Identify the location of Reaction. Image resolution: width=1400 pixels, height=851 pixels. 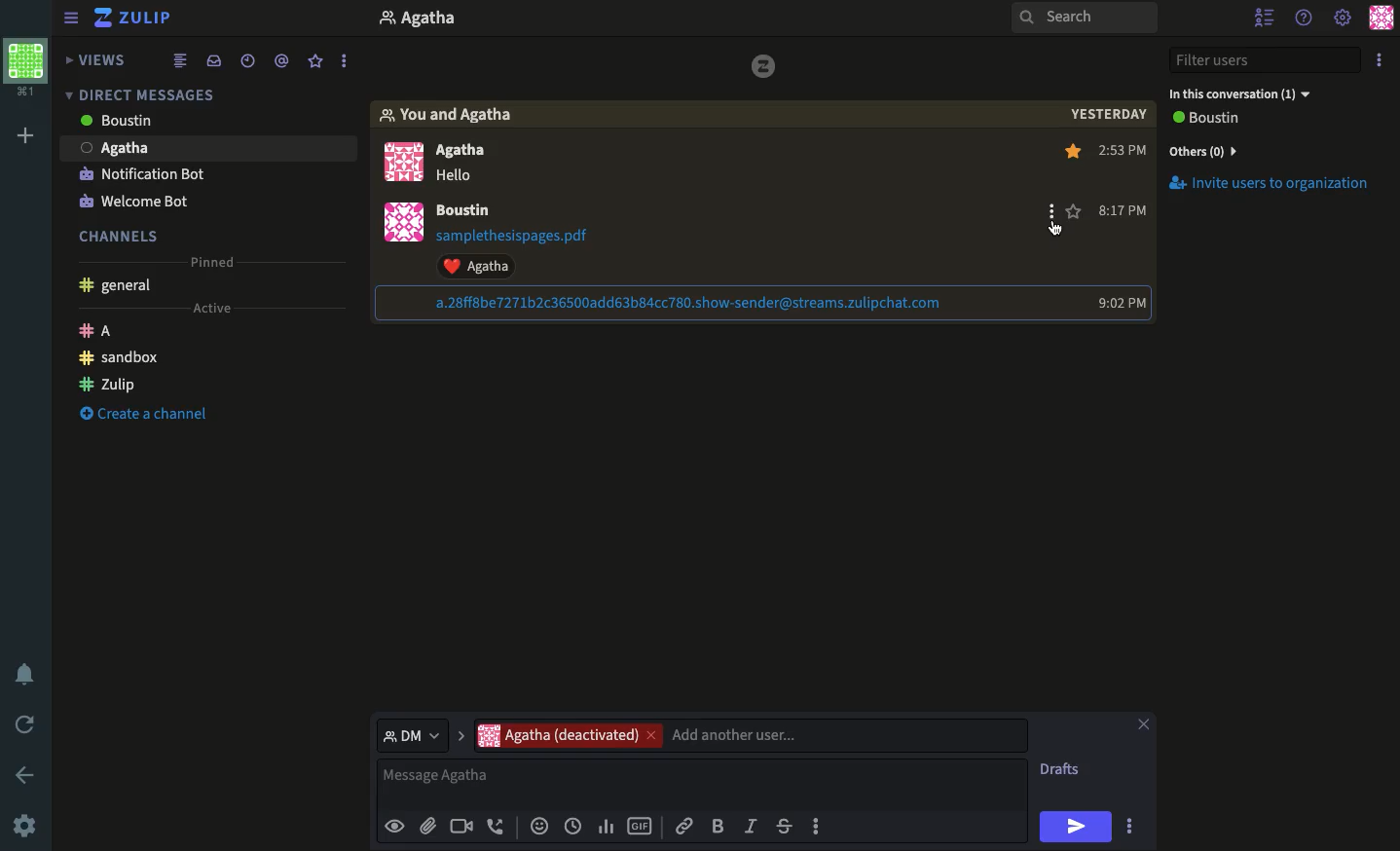
(537, 828).